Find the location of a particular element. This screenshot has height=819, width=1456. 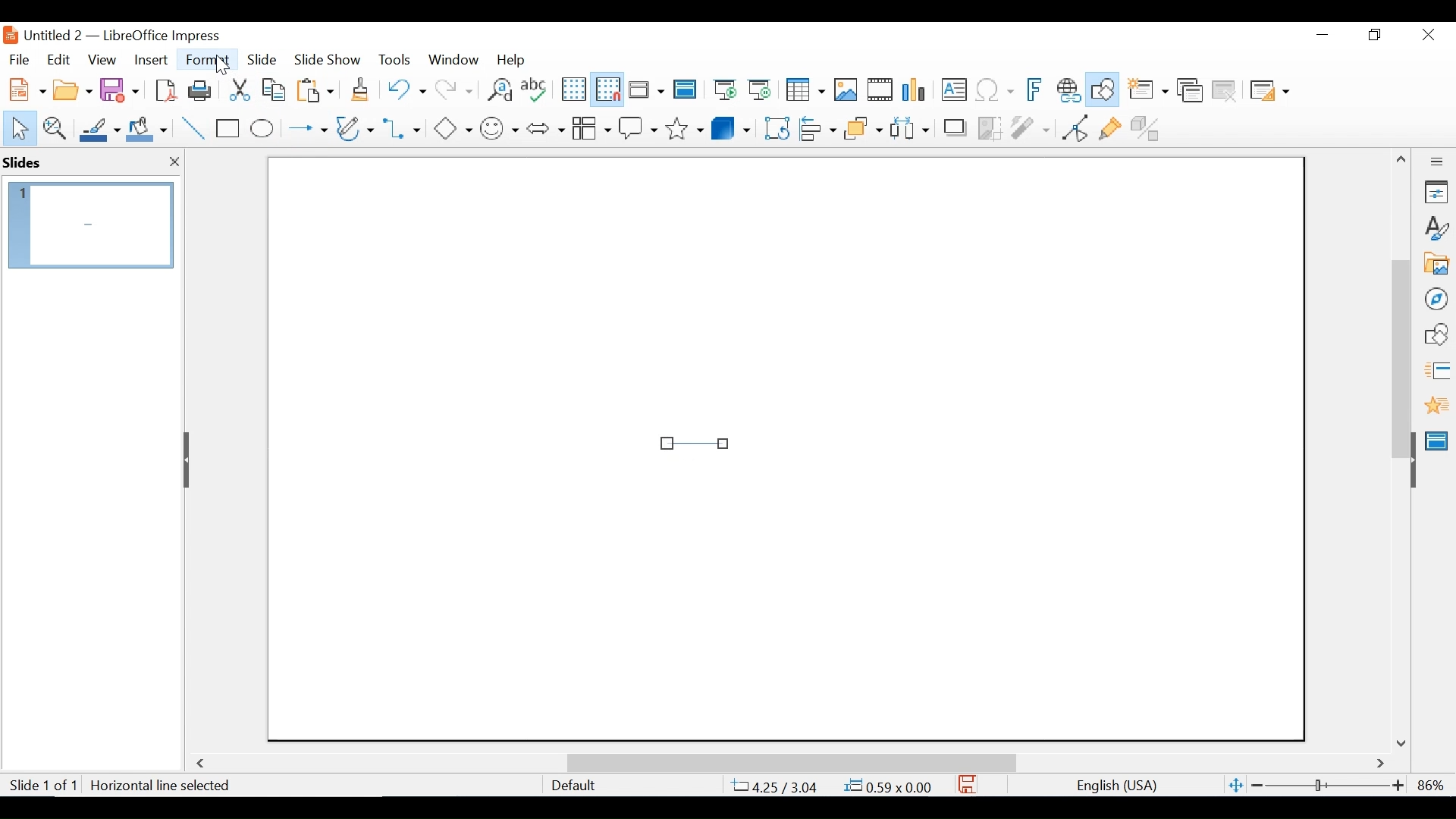

Insert Audio or Video is located at coordinates (880, 91).